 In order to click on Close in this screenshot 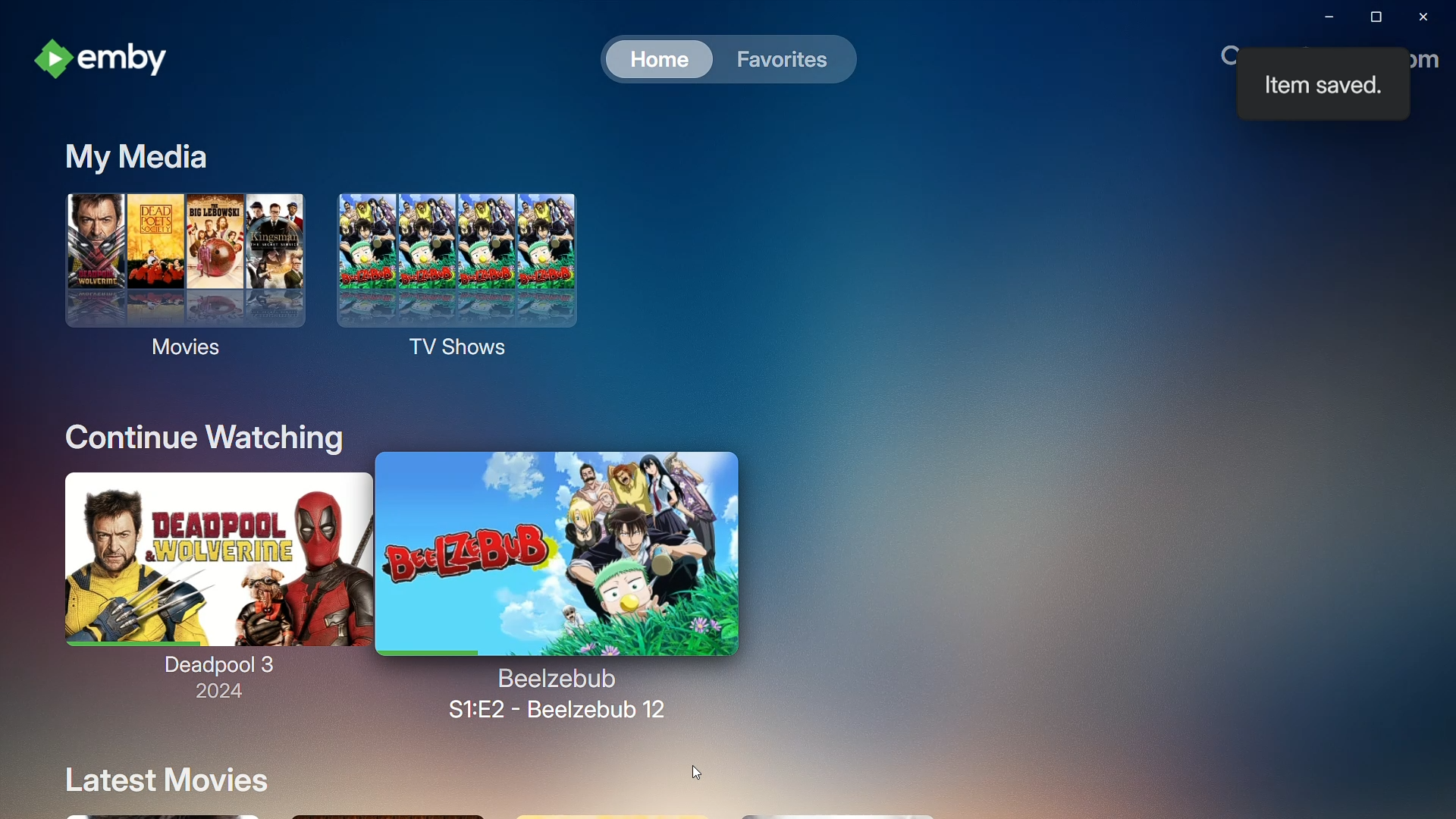, I will do `click(1424, 17)`.